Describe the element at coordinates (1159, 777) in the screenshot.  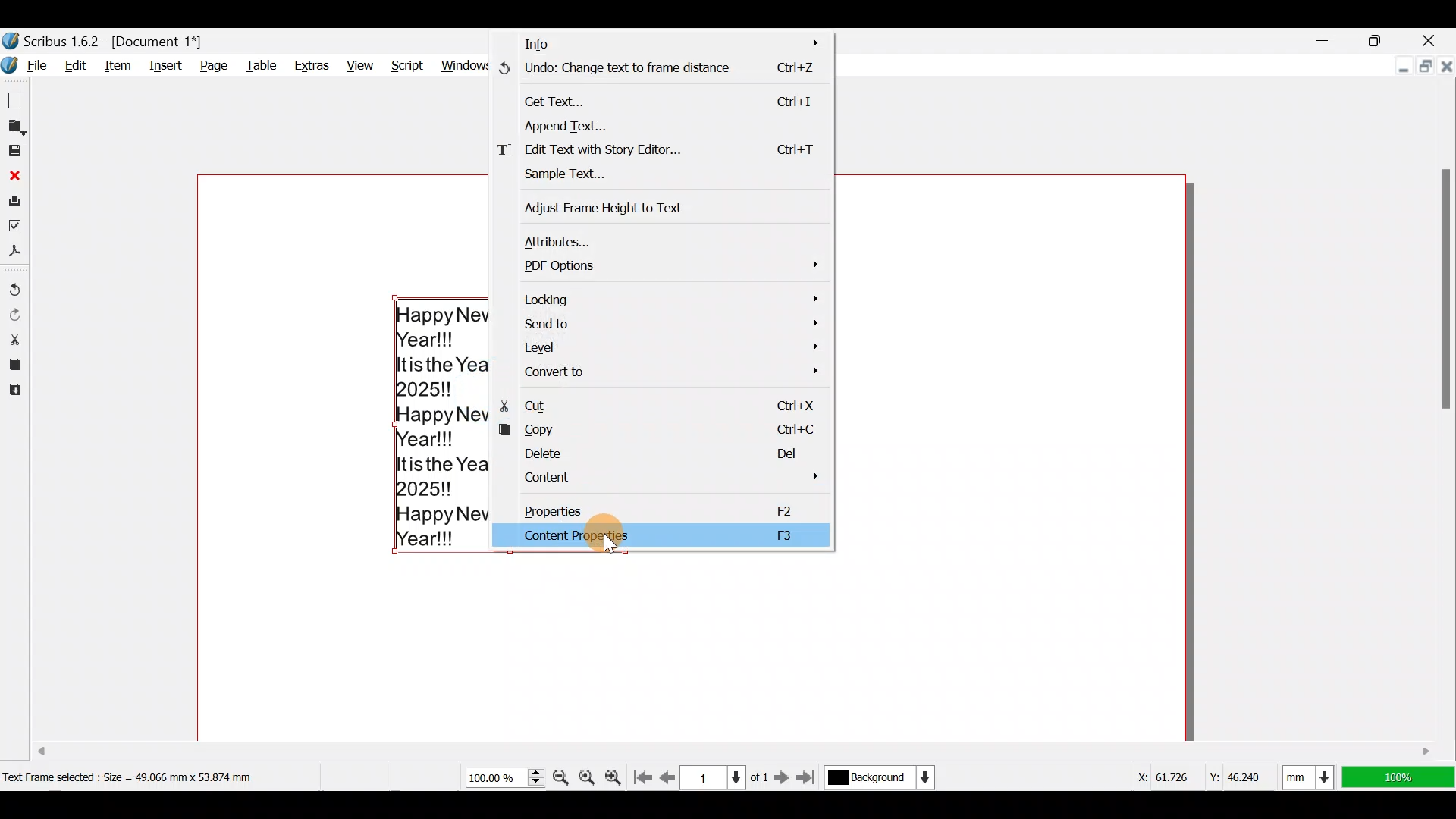
I see `X-axis dimension values` at that location.